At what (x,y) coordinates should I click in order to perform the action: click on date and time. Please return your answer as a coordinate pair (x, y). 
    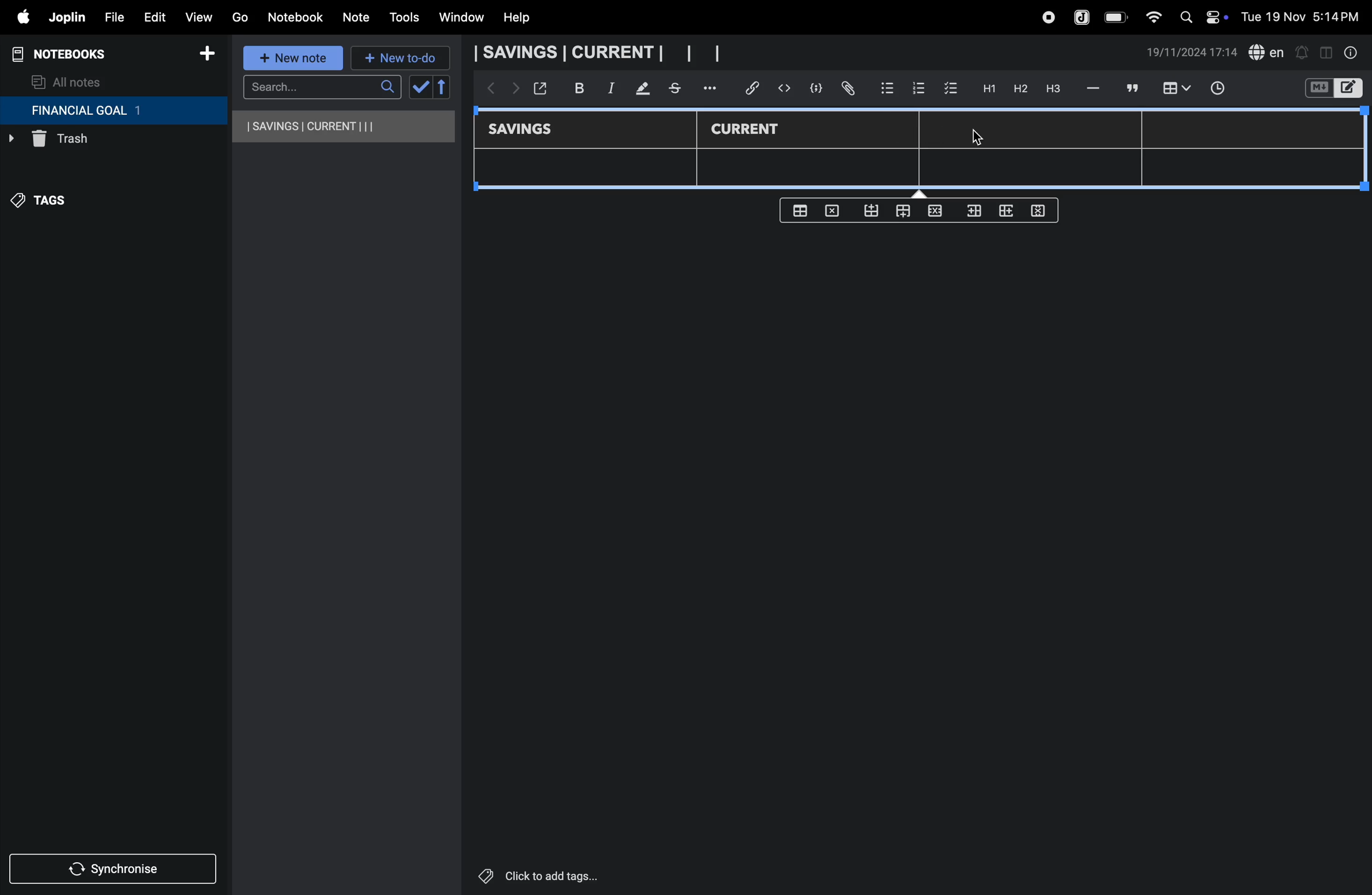
    Looking at the image, I should click on (1304, 16).